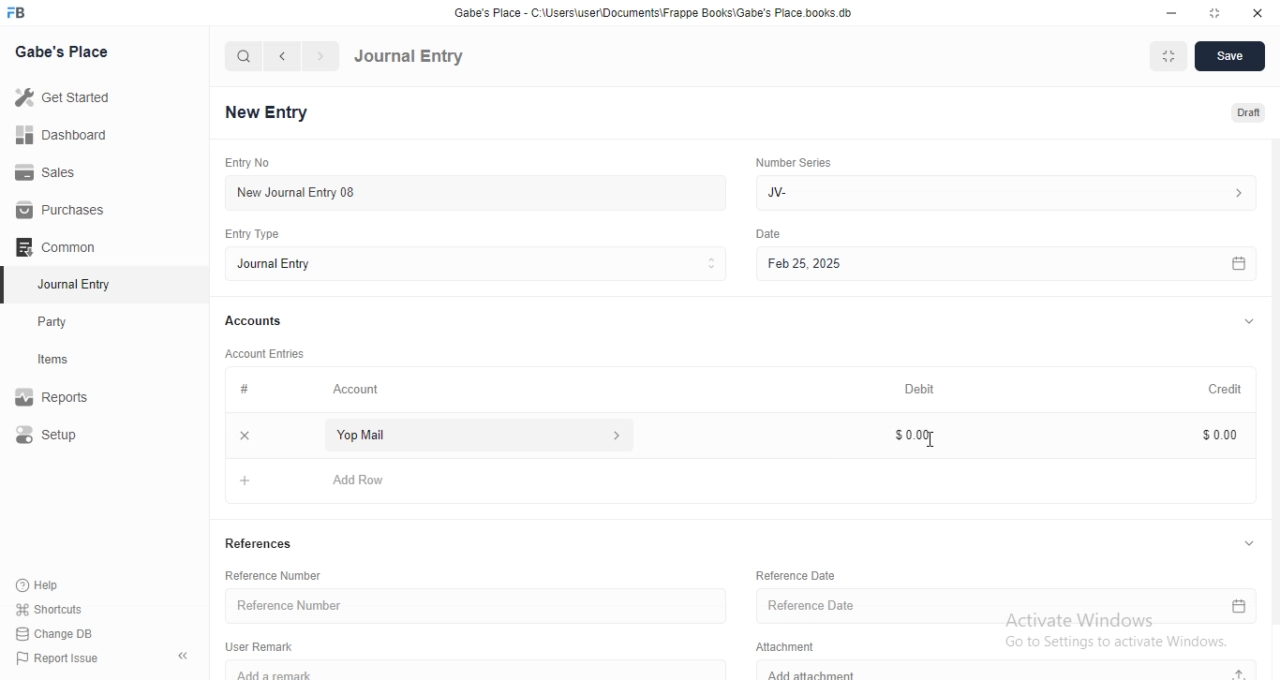 This screenshot has width=1280, height=680. I want to click on Feb 25, 2025, so click(1003, 263).